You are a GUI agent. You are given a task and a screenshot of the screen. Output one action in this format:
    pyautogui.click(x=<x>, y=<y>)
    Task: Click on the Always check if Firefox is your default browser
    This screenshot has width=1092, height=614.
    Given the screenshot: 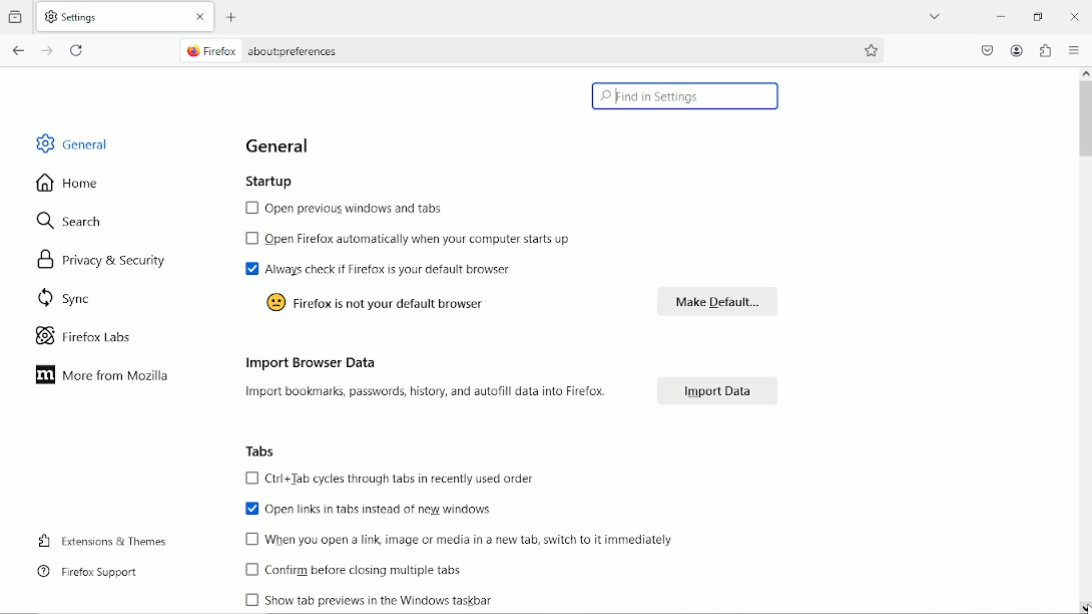 What is the action you would take?
    pyautogui.click(x=379, y=270)
    